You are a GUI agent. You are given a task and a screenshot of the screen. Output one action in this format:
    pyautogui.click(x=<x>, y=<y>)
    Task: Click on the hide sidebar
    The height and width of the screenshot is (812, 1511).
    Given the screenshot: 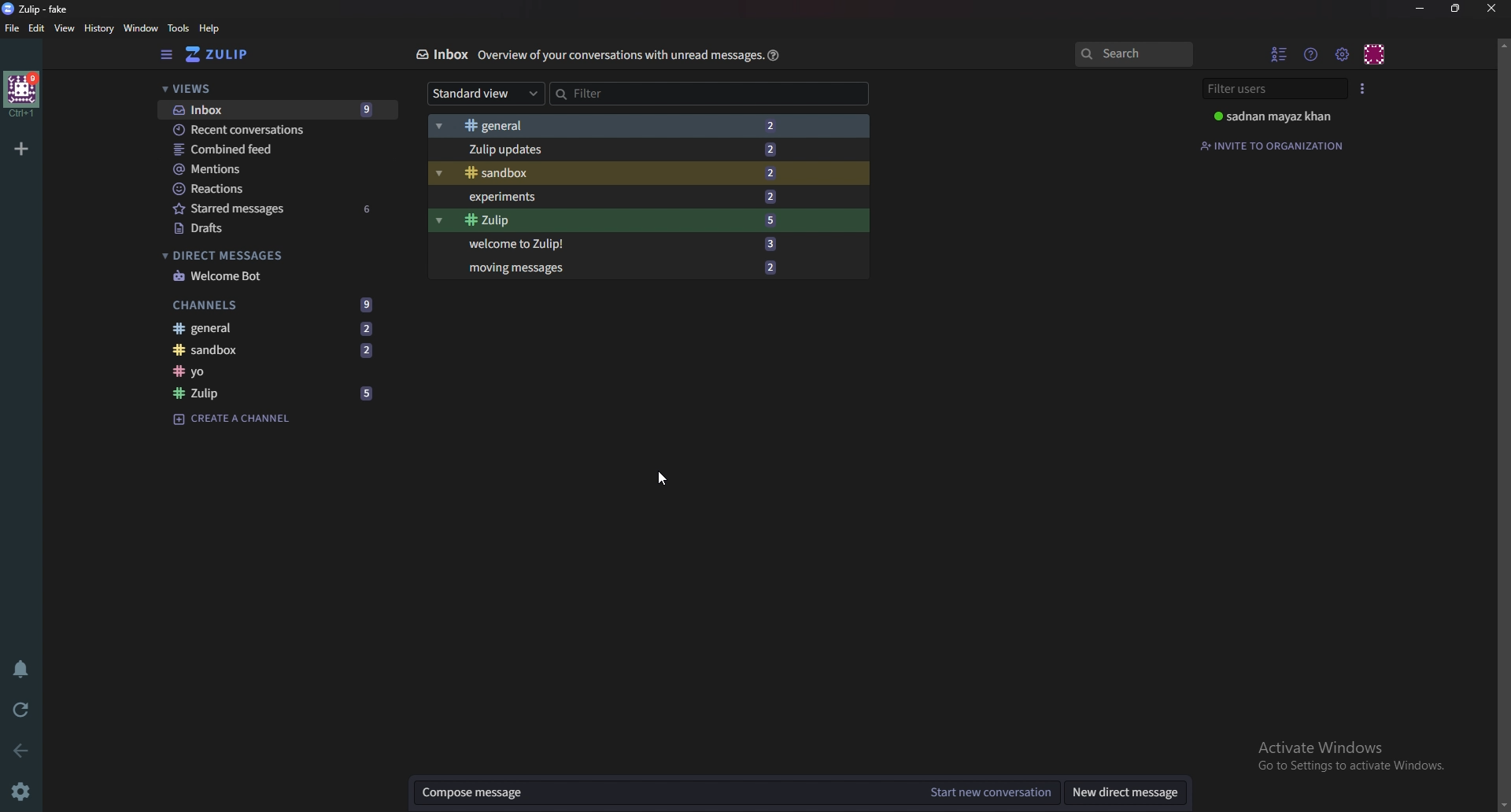 What is the action you would take?
    pyautogui.click(x=168, y=55)
    